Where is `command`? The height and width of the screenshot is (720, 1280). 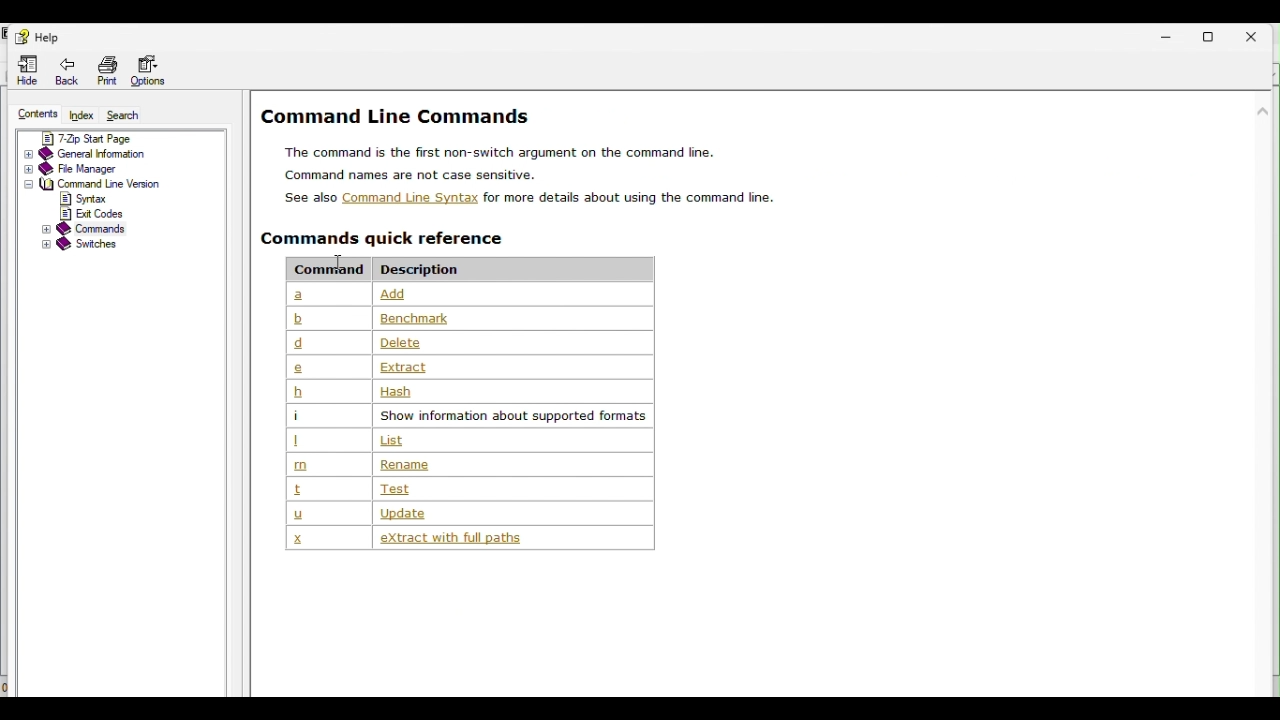 command is located at coordinates (324, 268).